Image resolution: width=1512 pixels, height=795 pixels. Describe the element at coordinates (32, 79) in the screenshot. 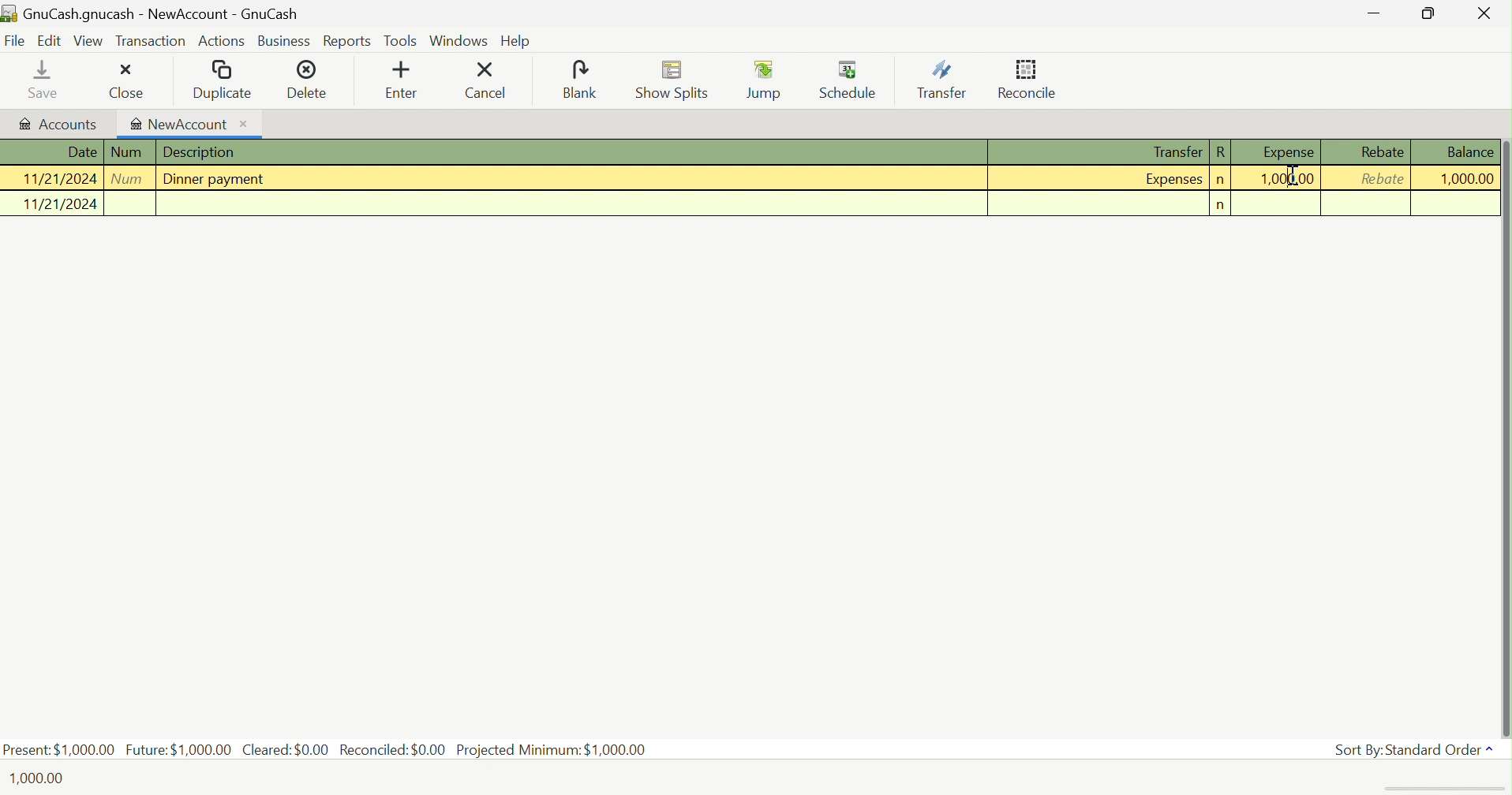

I see `Save` at that location.